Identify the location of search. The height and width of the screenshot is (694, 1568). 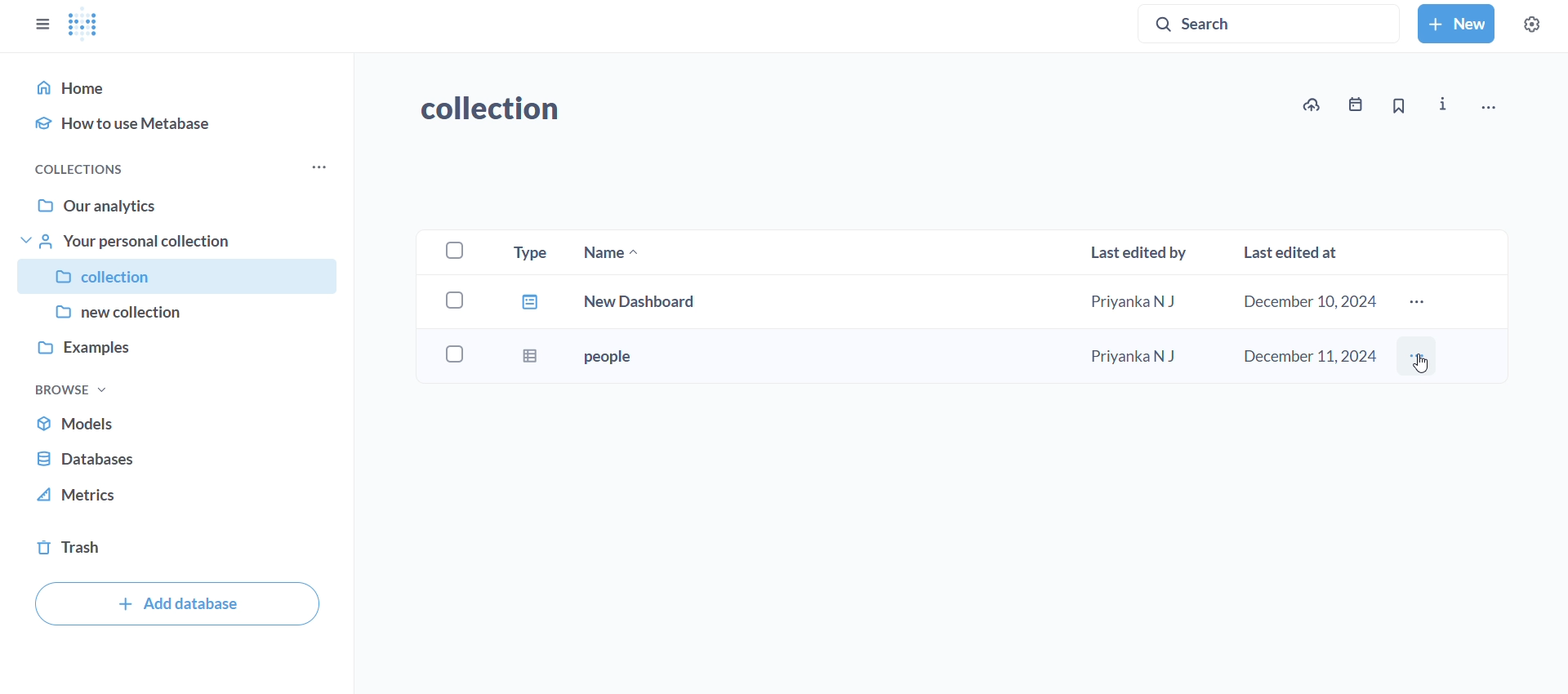
(1272, 22).